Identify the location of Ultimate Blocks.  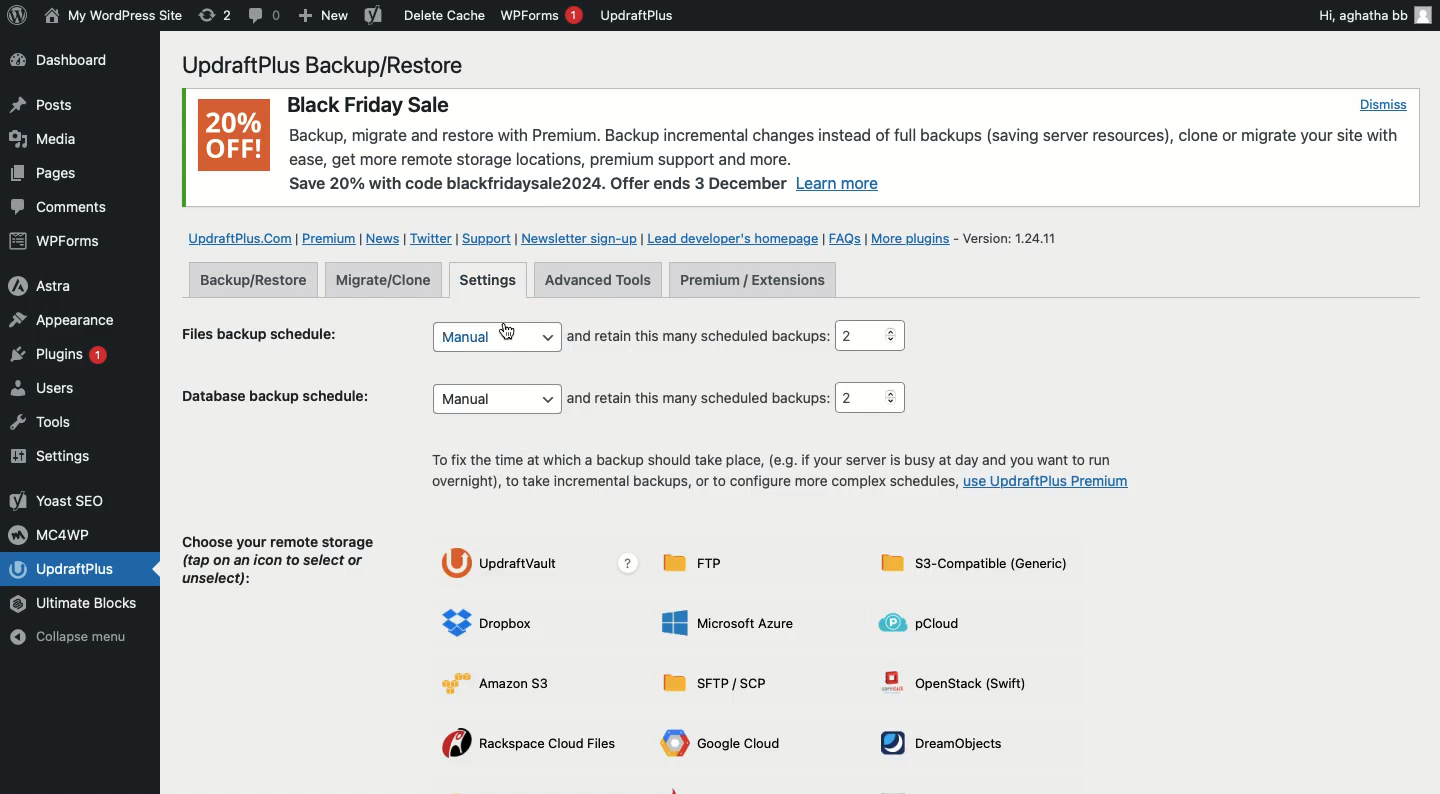
(80, 605).